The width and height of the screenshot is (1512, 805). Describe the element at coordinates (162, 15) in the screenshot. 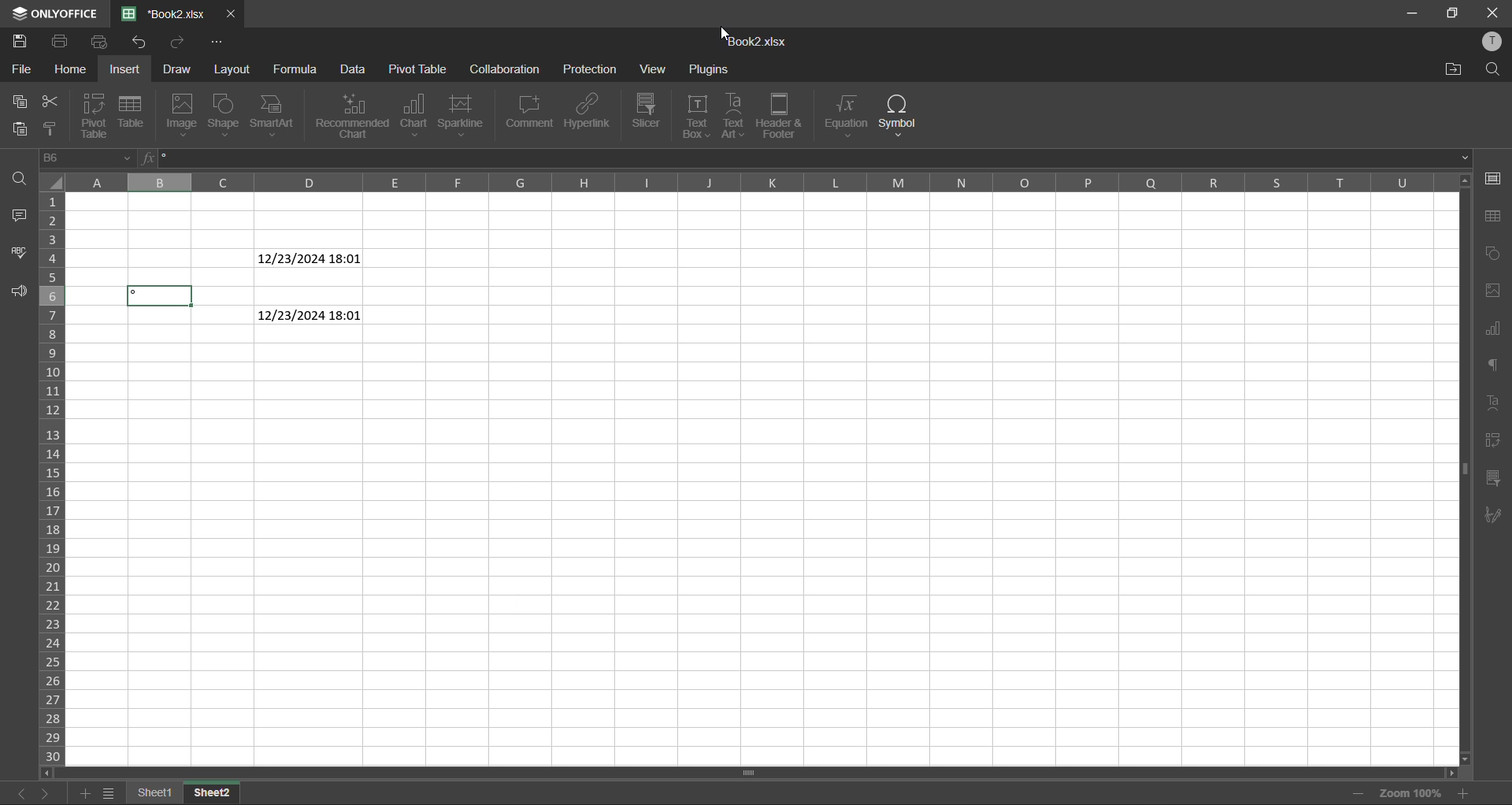

I see `book2.xlsx` at that location.